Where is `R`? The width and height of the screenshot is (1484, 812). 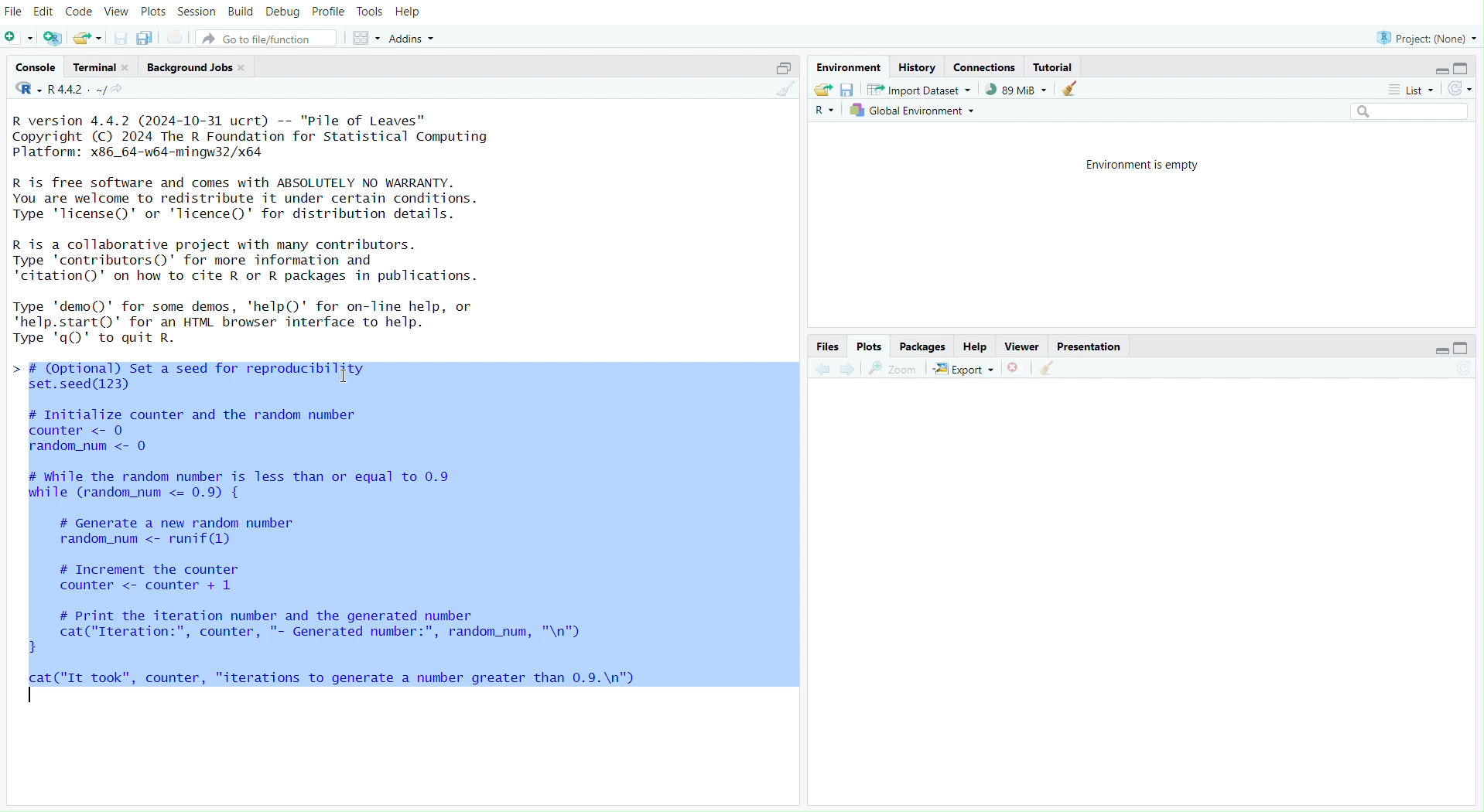 R is located at coordinates (825, 109).